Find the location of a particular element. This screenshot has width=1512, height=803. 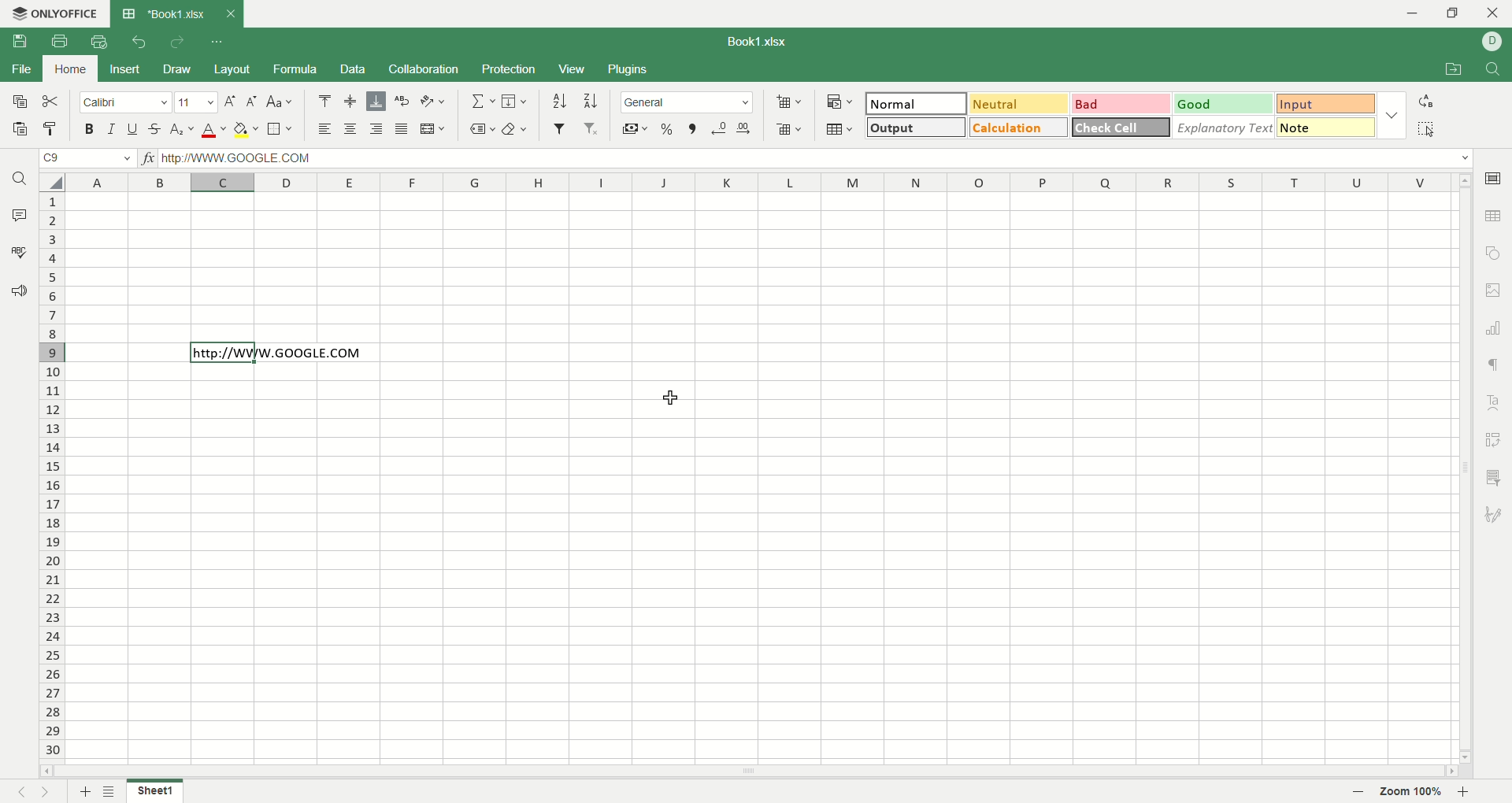

replace is located at coordinates (1425, 100).